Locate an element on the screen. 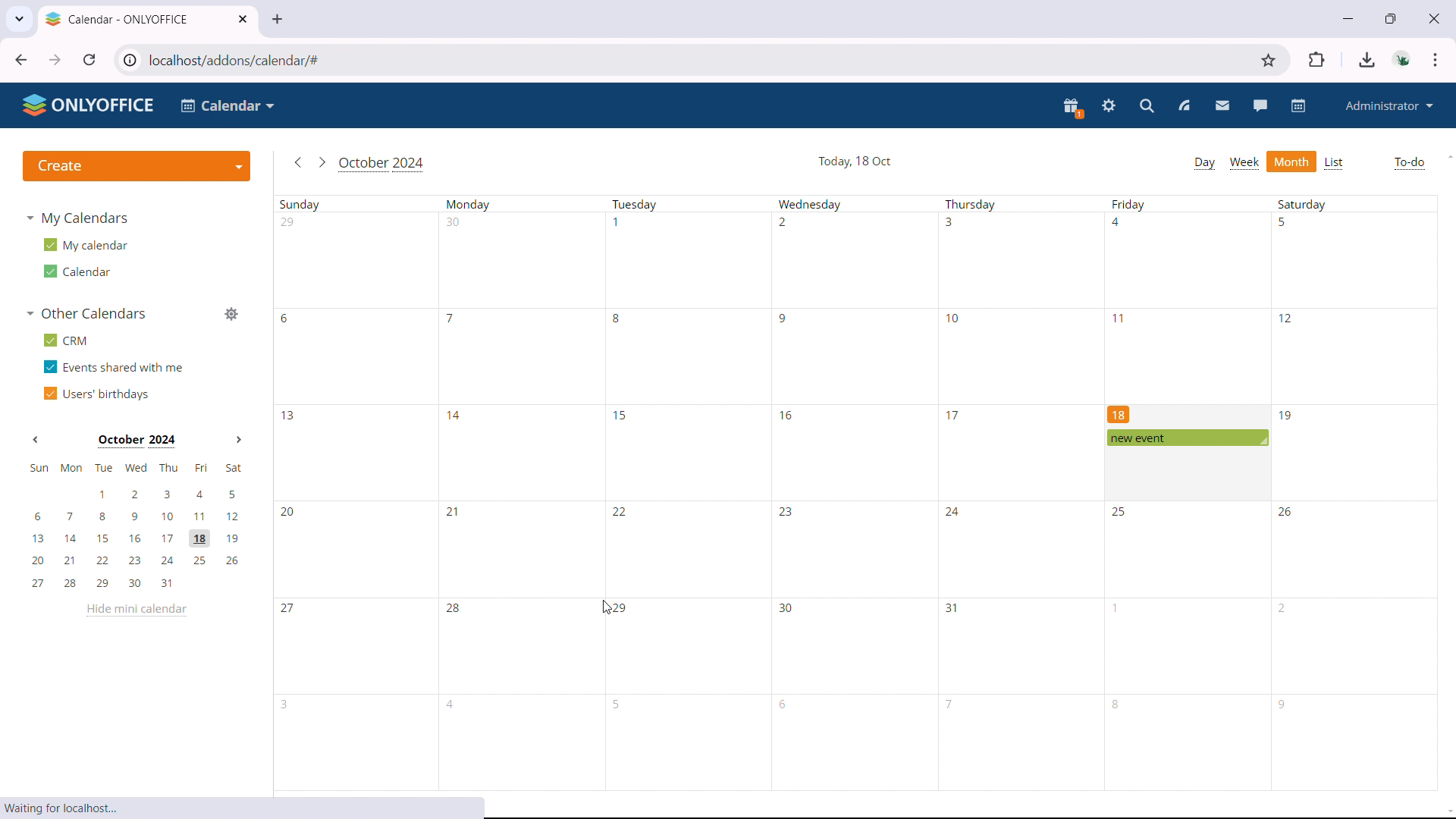 The image size is (1456, 819). 11 is located at coordinates (1122, 318).